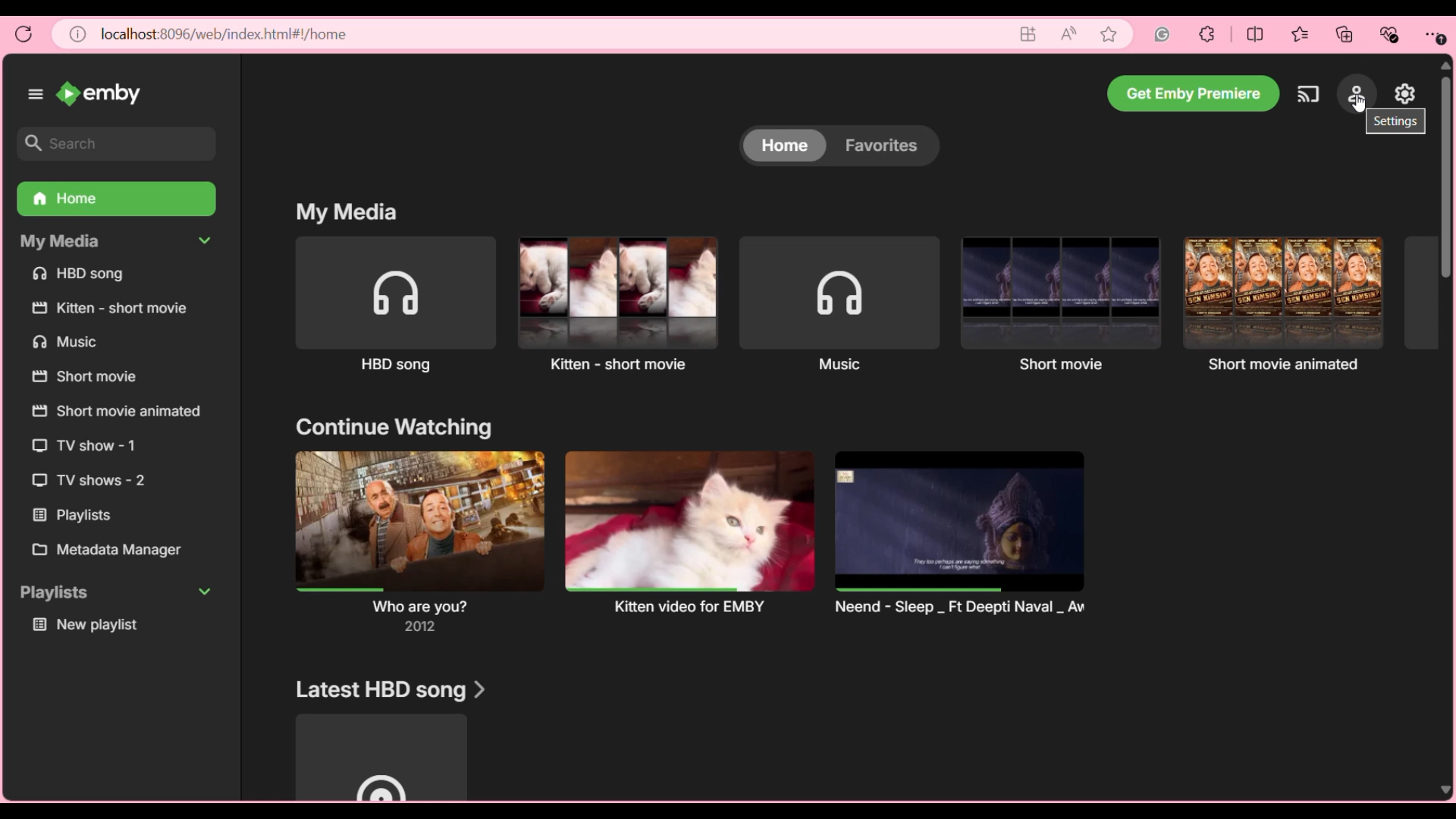 Image resolution: width=1456 pixels, height=819 pixels. What do you see at coordinates (836, 306) in the screenshot?
I see `music` at bounding box center [836, 306].